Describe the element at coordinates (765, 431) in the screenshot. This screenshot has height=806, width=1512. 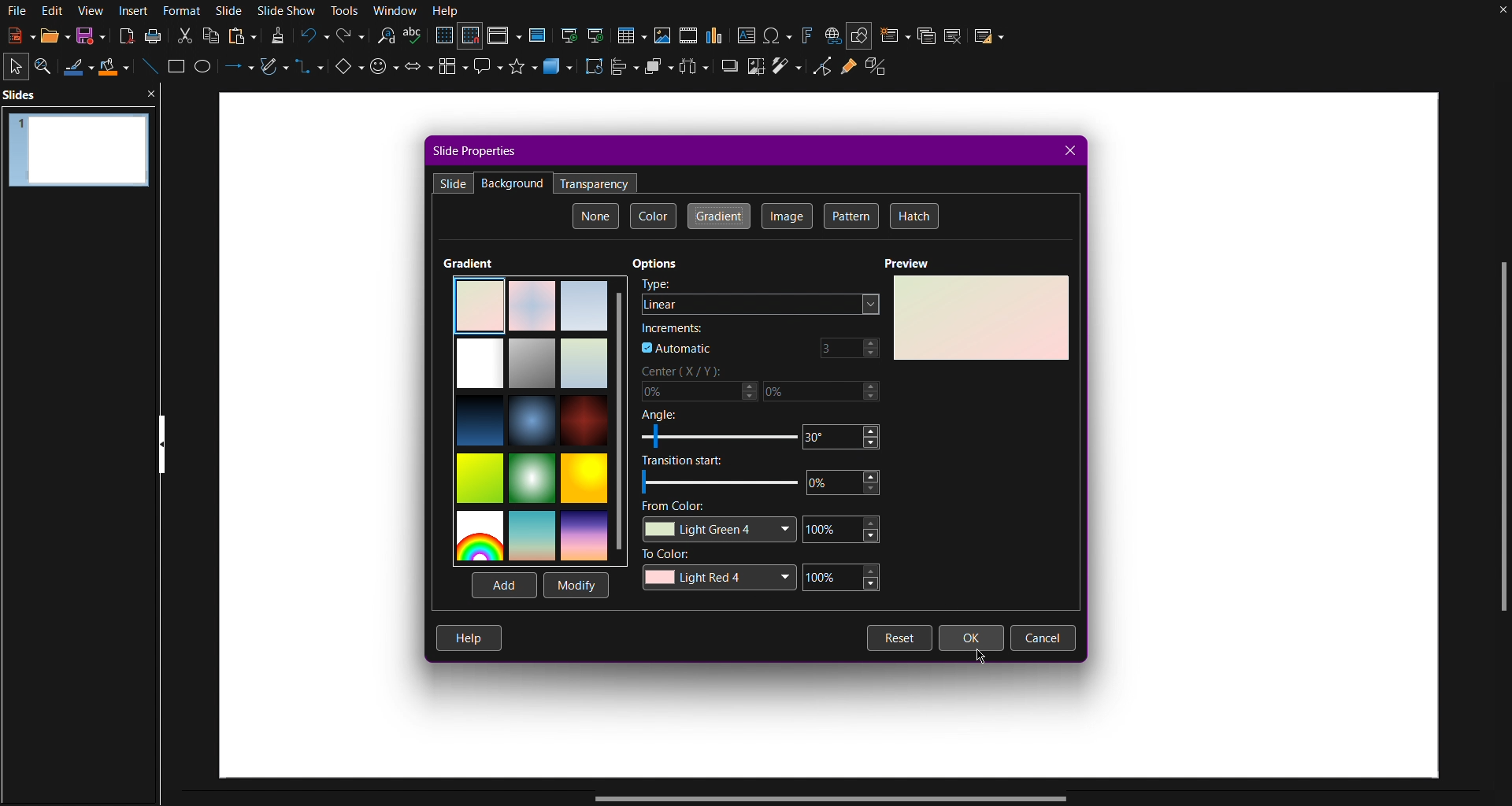
I see `Angle` at that location.